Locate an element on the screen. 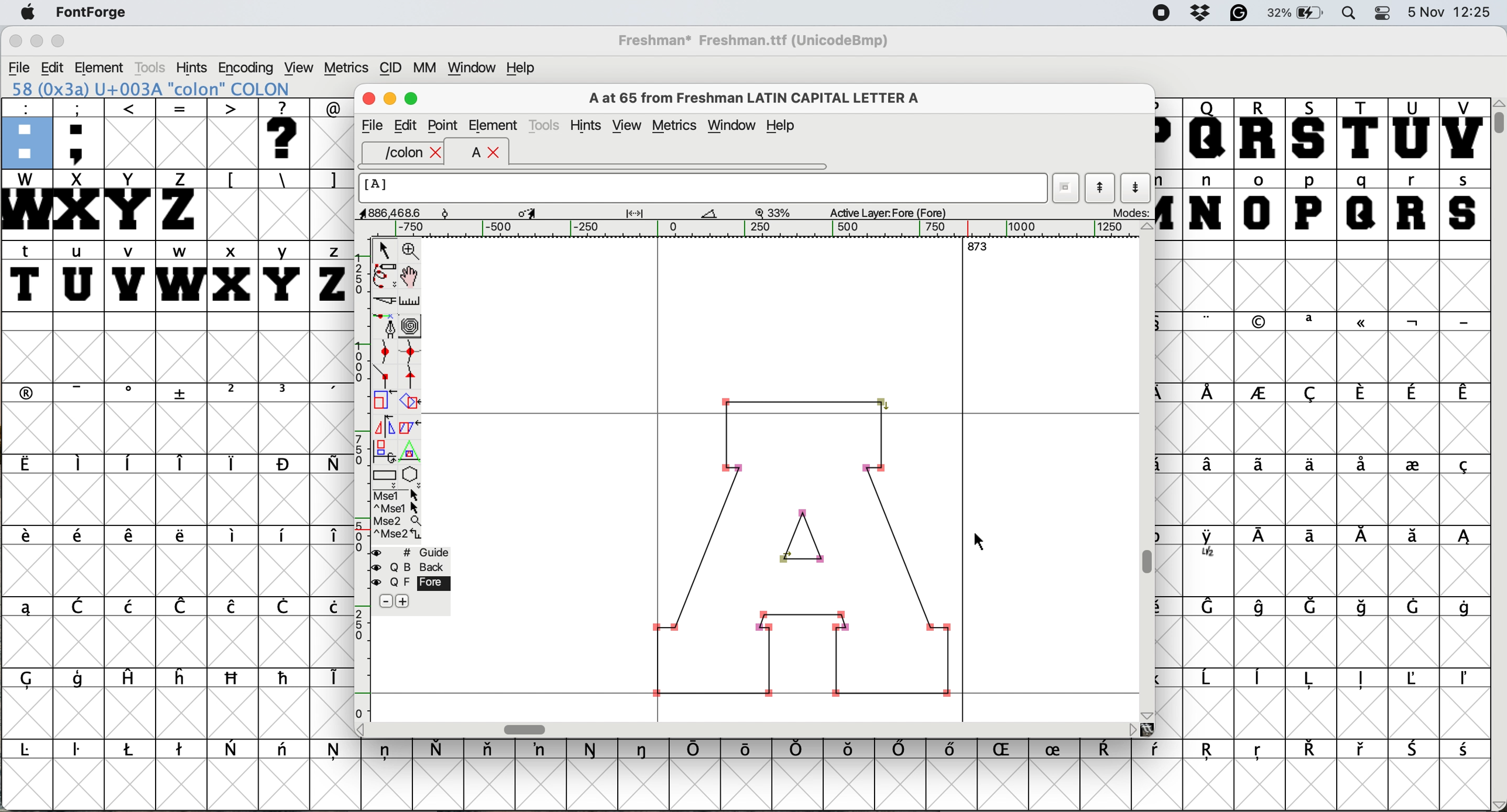  remove is located at coordinates (384, 601).